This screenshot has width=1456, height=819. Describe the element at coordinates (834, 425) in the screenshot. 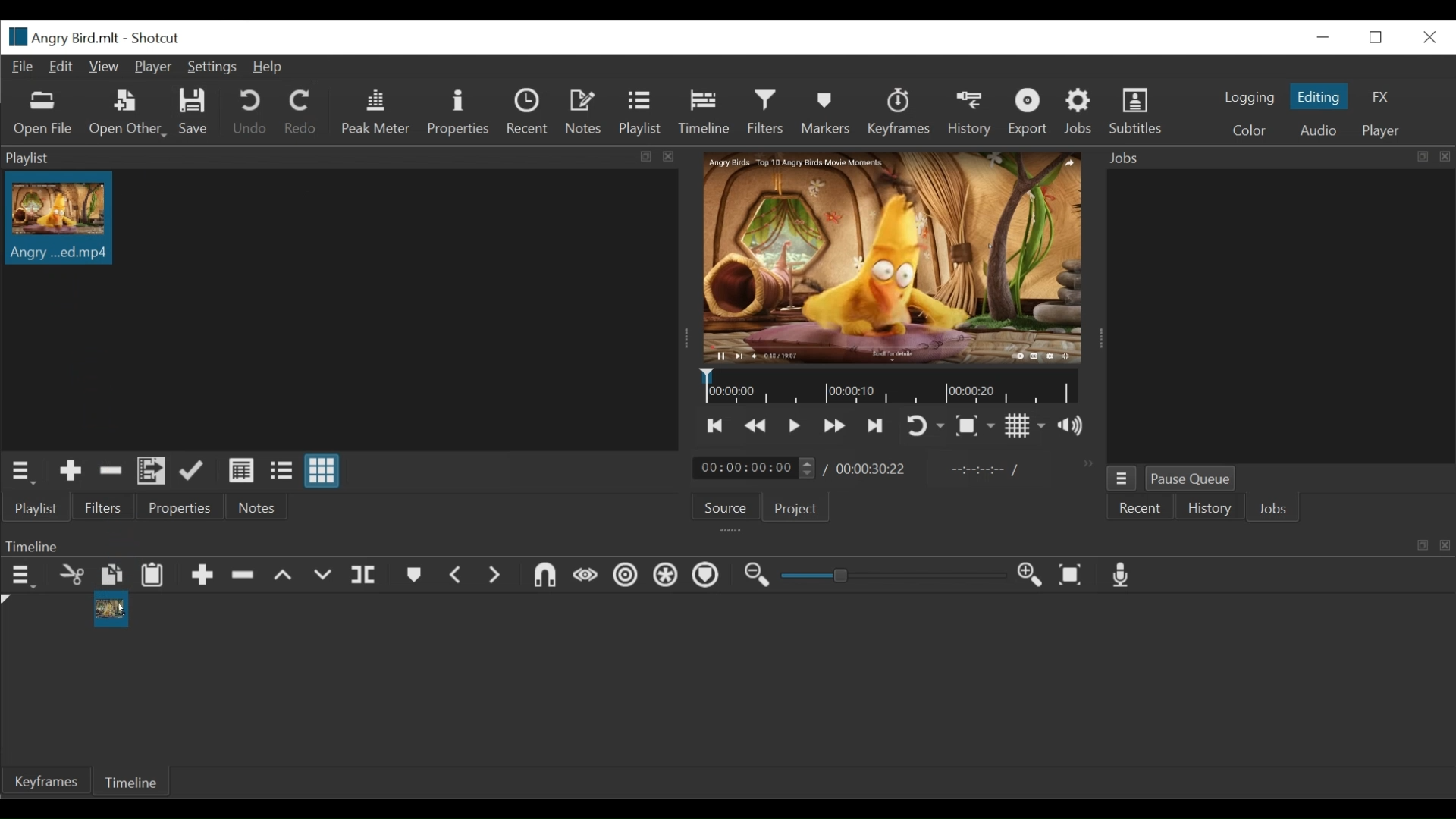

I see `Play forward quickly` at that location.